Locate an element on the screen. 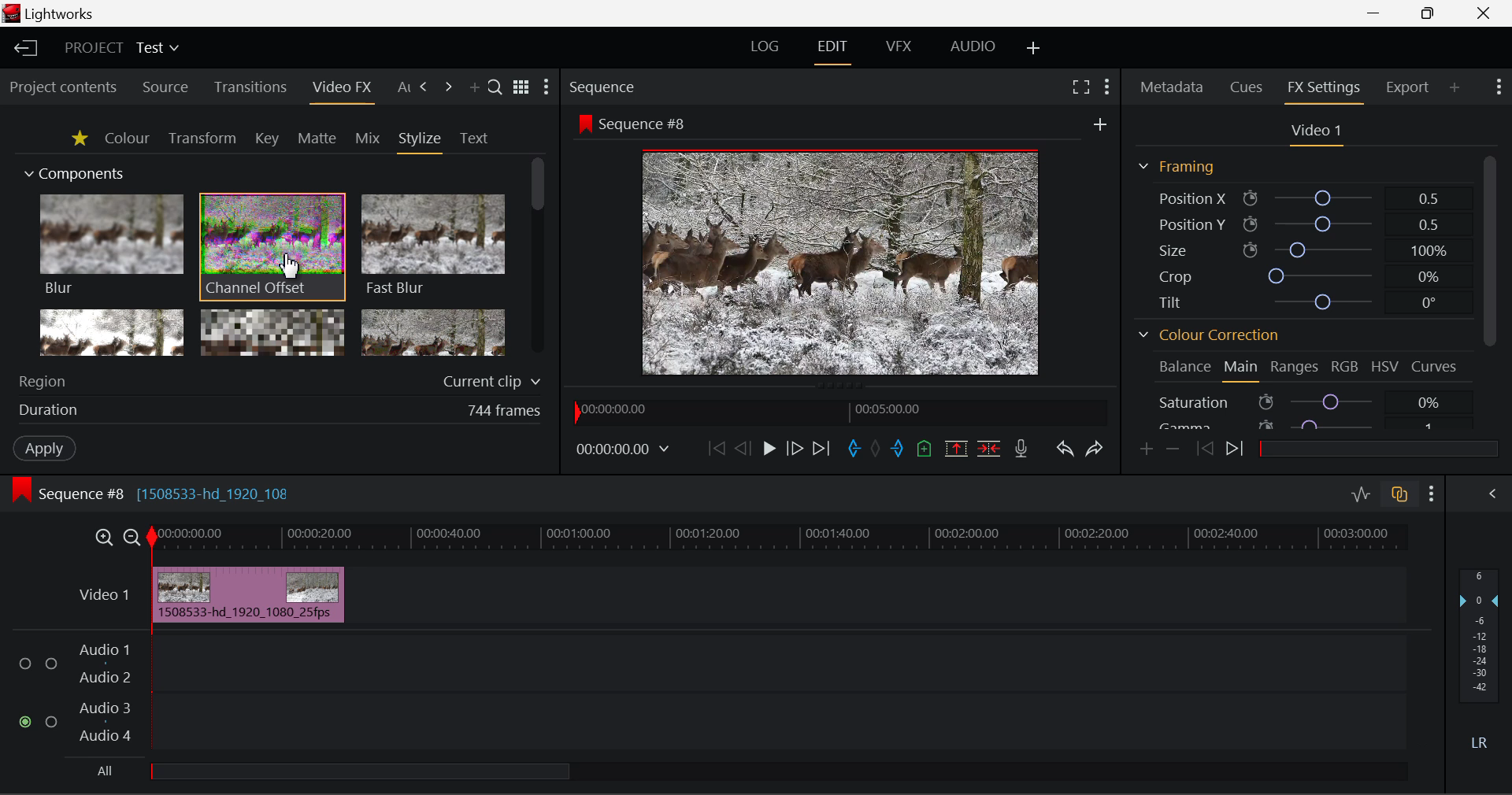  all is located at coordinates (397, 774).